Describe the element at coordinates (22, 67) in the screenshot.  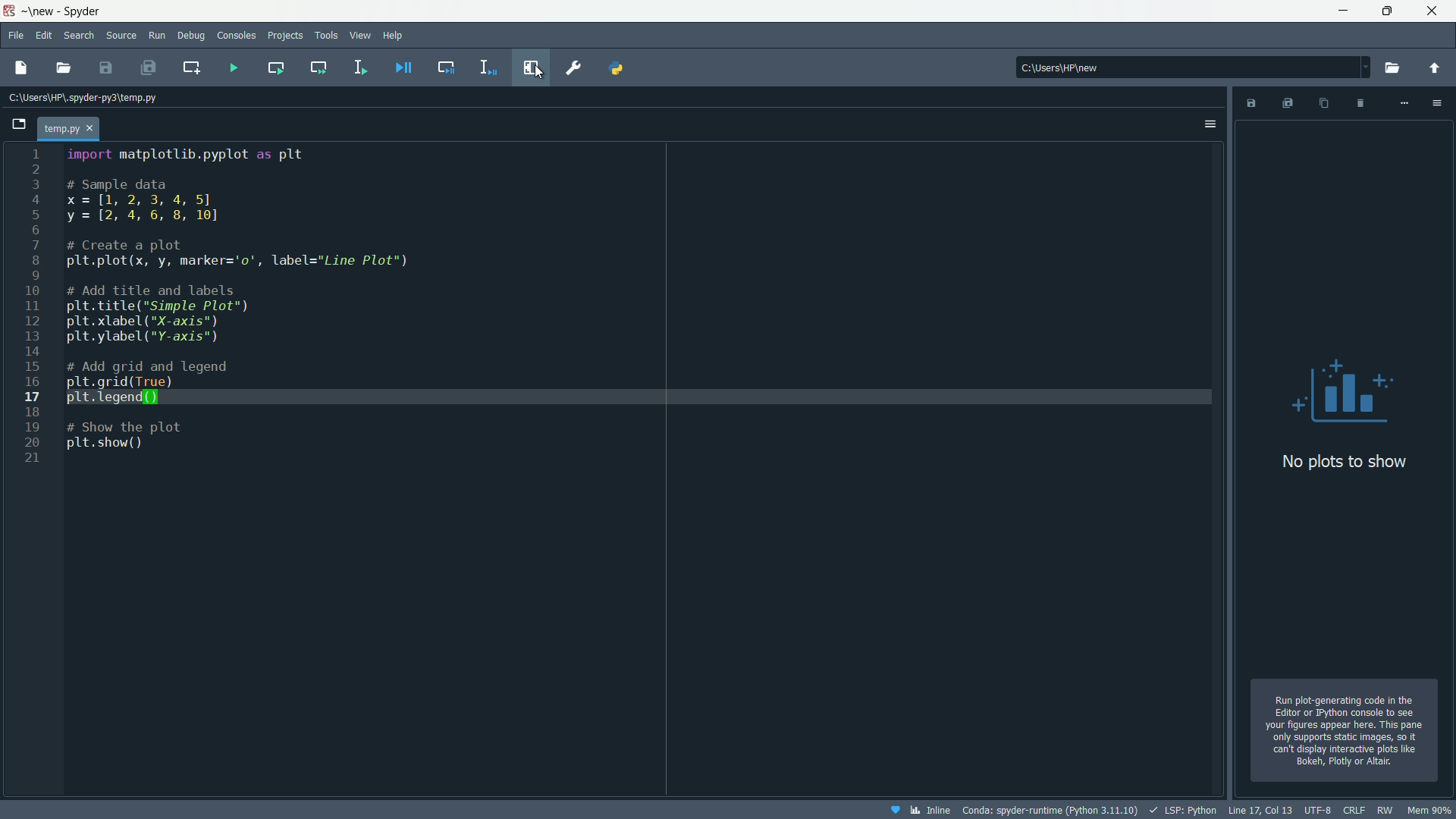
I see `new file` at that location.